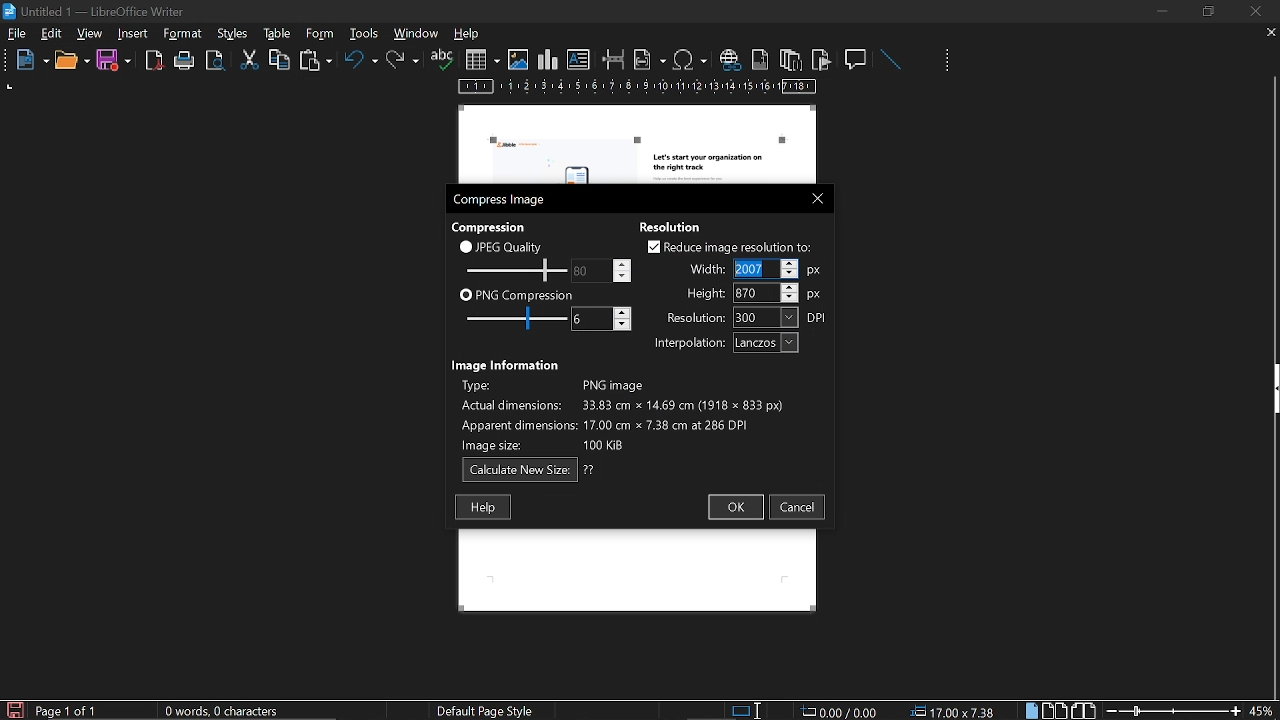 This screenshot has width=1280, height=720. What do you see at coordinates (822, 60) in the screenshot?
I see `insert bookmark` at bounding box center [822, 60].